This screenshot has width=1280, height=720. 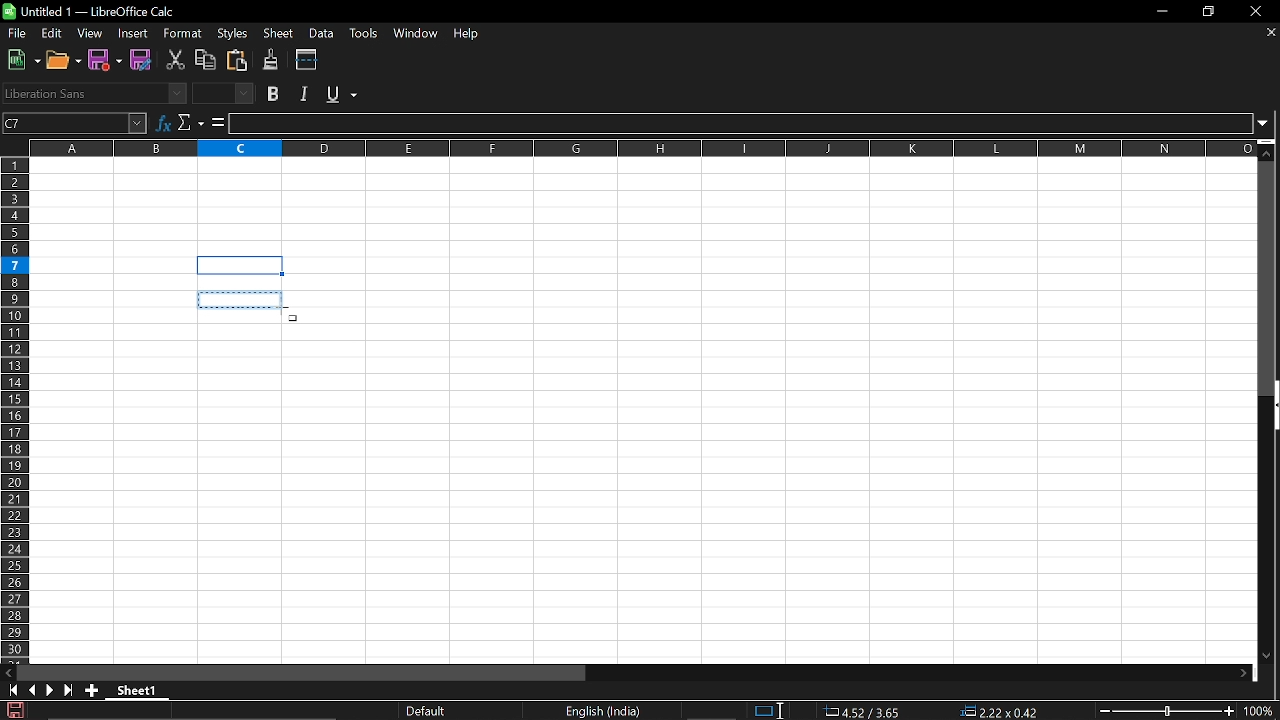 What do you see at coordinates (10, 690) in the screenshot?
I see `First sheet` at bounding box center [10, 690].